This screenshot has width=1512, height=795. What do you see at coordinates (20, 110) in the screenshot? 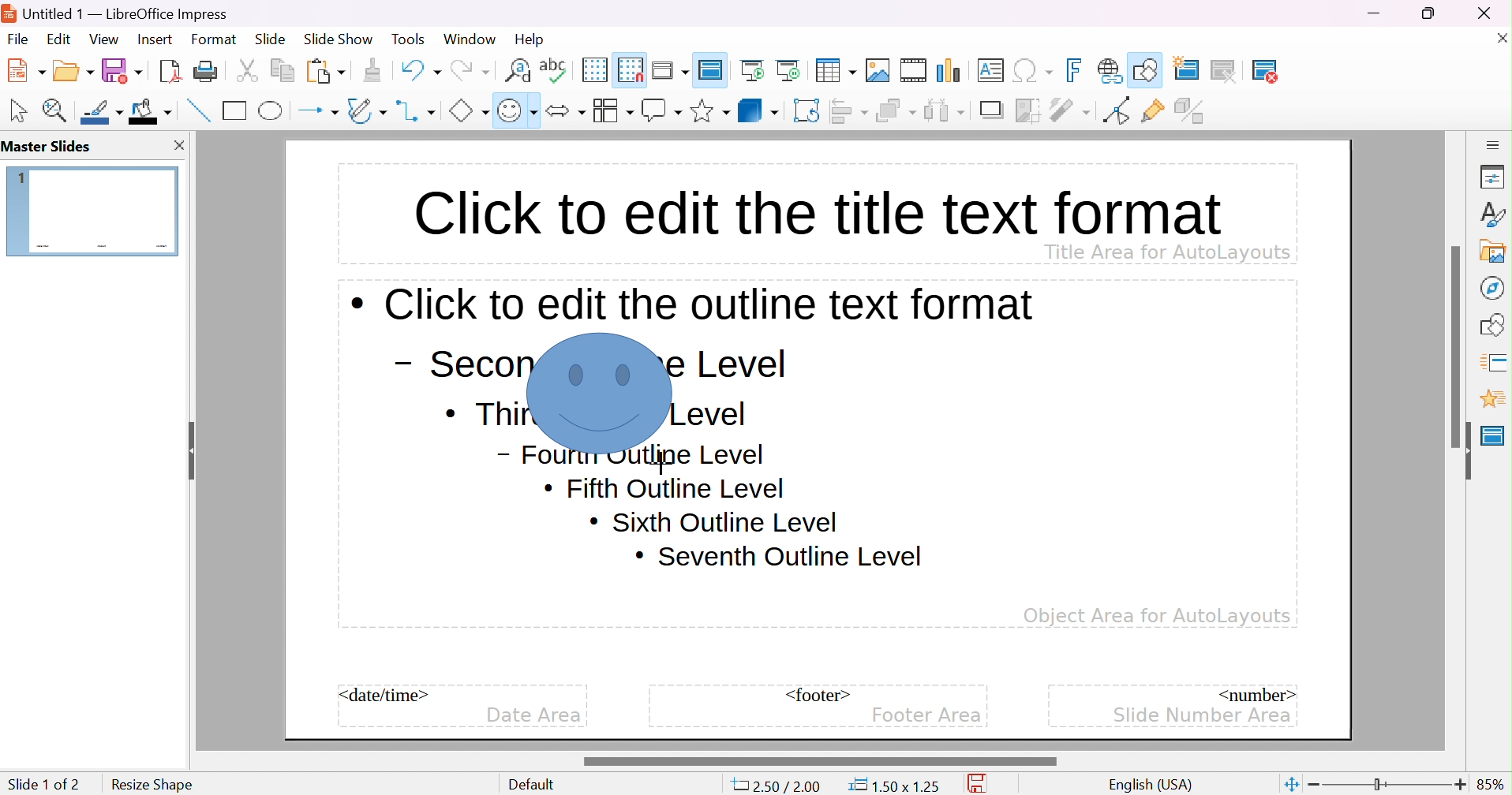
I see `select` at bounding box center [20, 110].